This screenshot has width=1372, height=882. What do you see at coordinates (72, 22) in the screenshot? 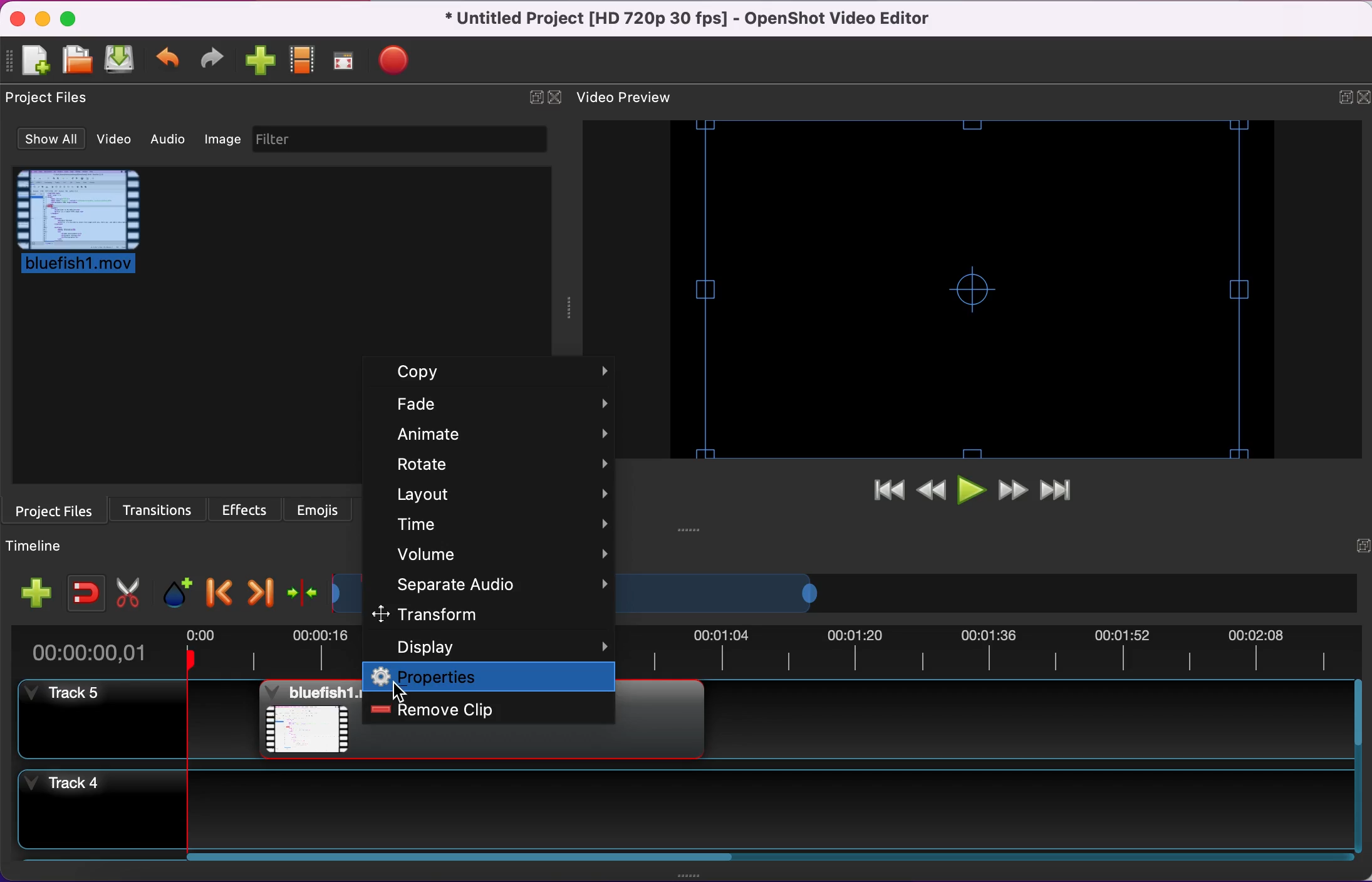
I see `maximize` at bounding box center [72, 22].